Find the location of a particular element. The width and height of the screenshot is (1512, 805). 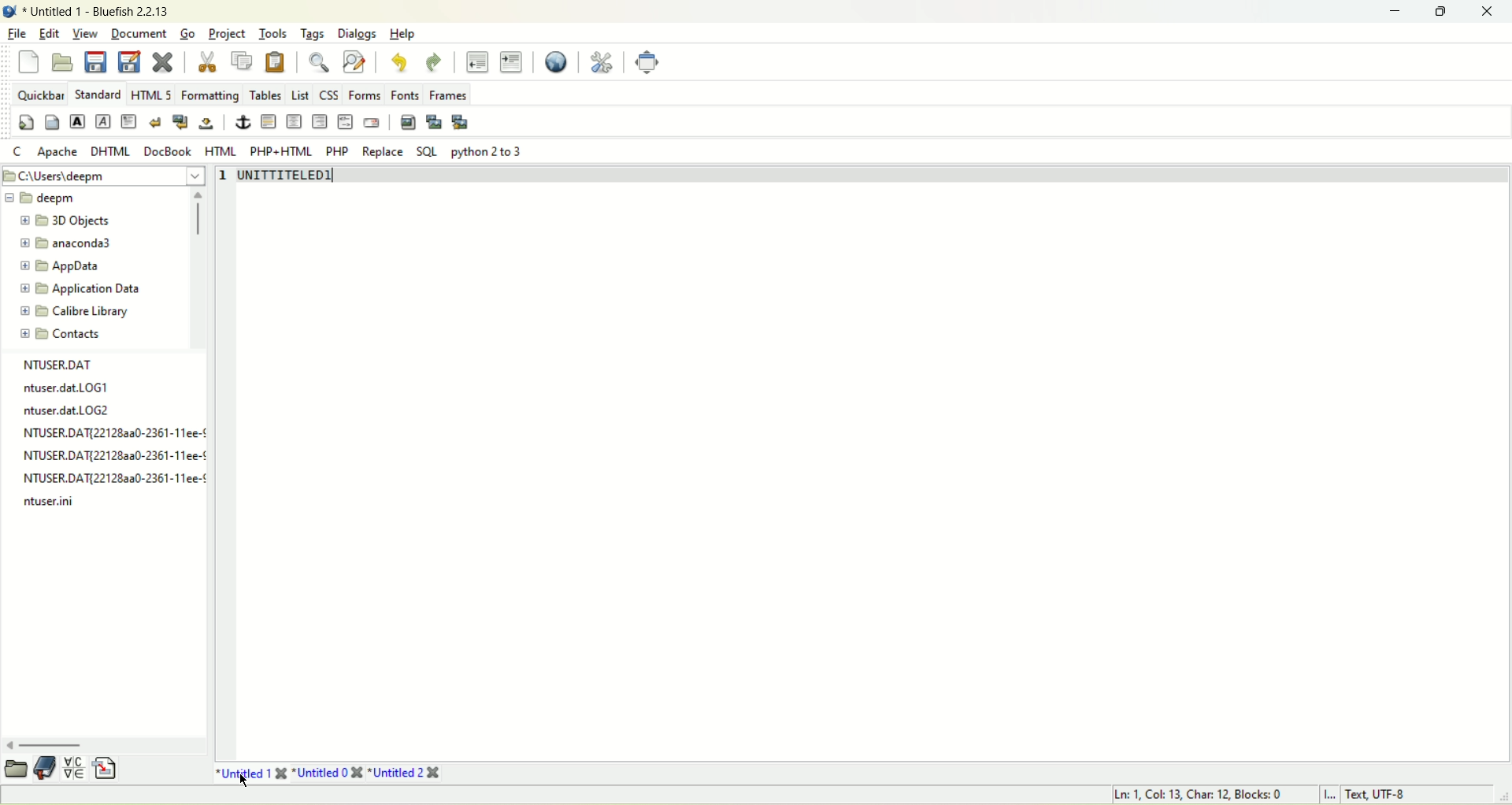

horizontal rule is located at coordinates (268, 121).